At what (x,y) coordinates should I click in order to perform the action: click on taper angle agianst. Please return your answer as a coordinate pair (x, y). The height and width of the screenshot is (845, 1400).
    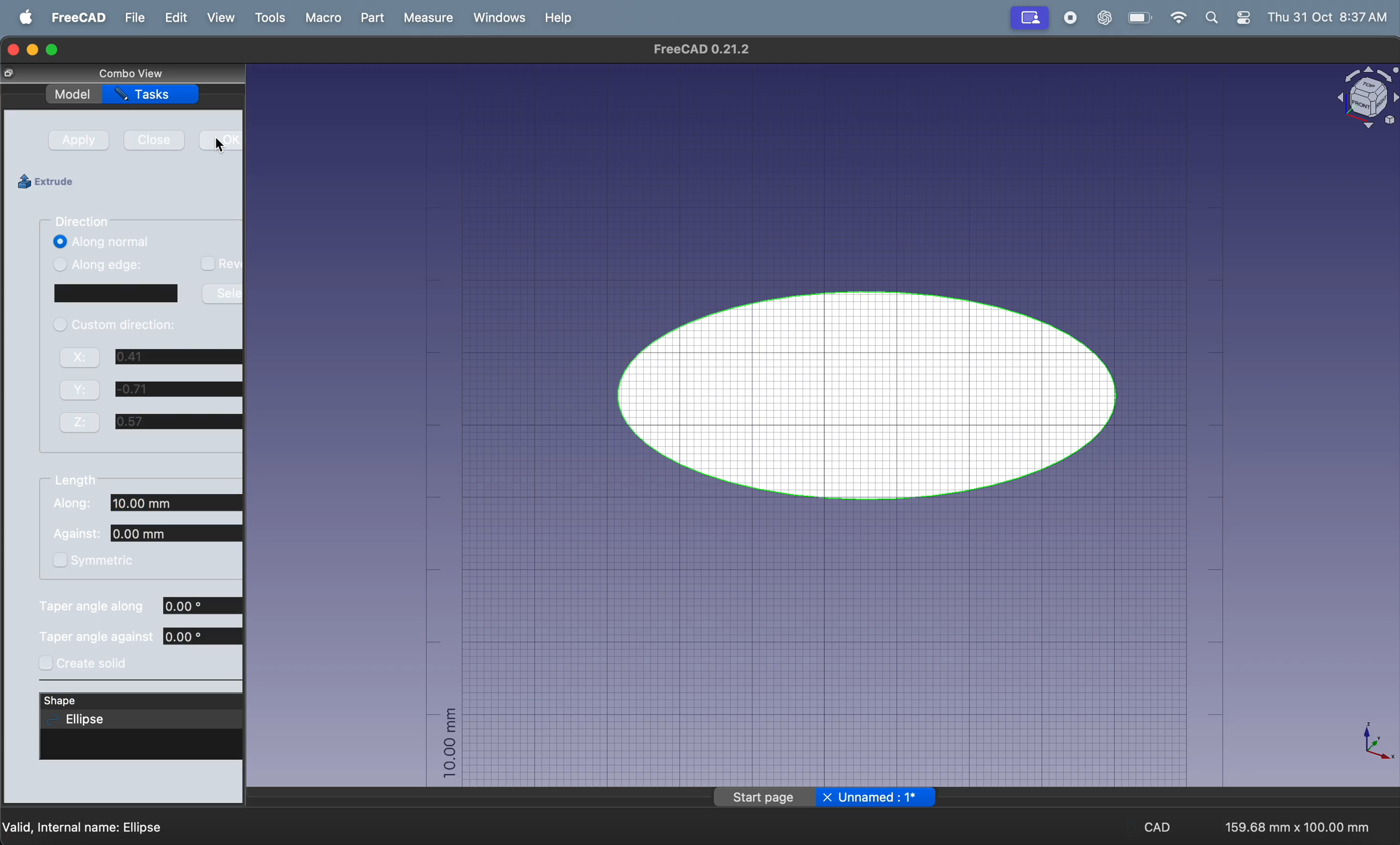
    Looking at the image, I should click on (94, 637).